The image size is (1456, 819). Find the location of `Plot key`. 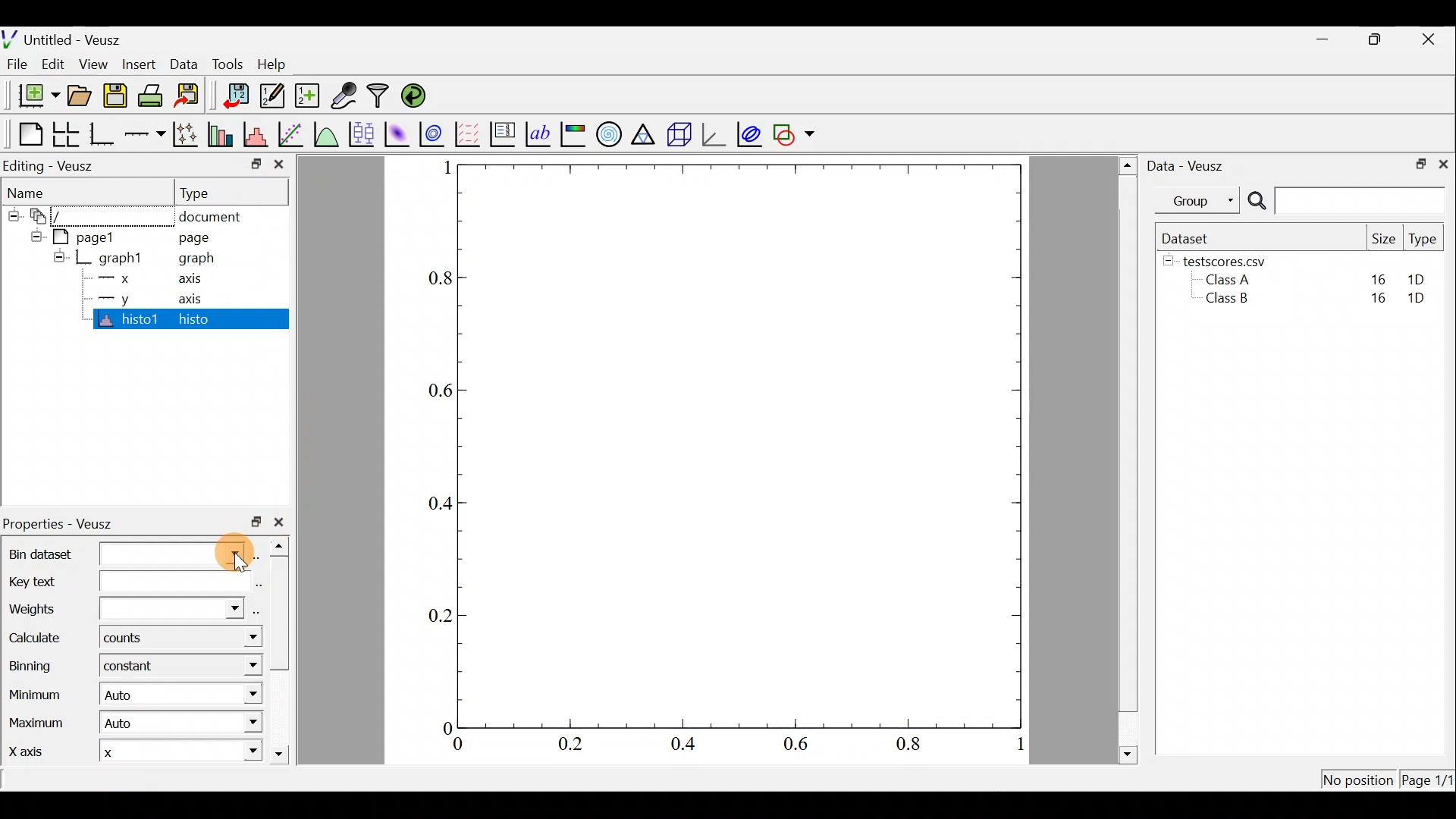

Plot key is located at coordinates (502, 134).